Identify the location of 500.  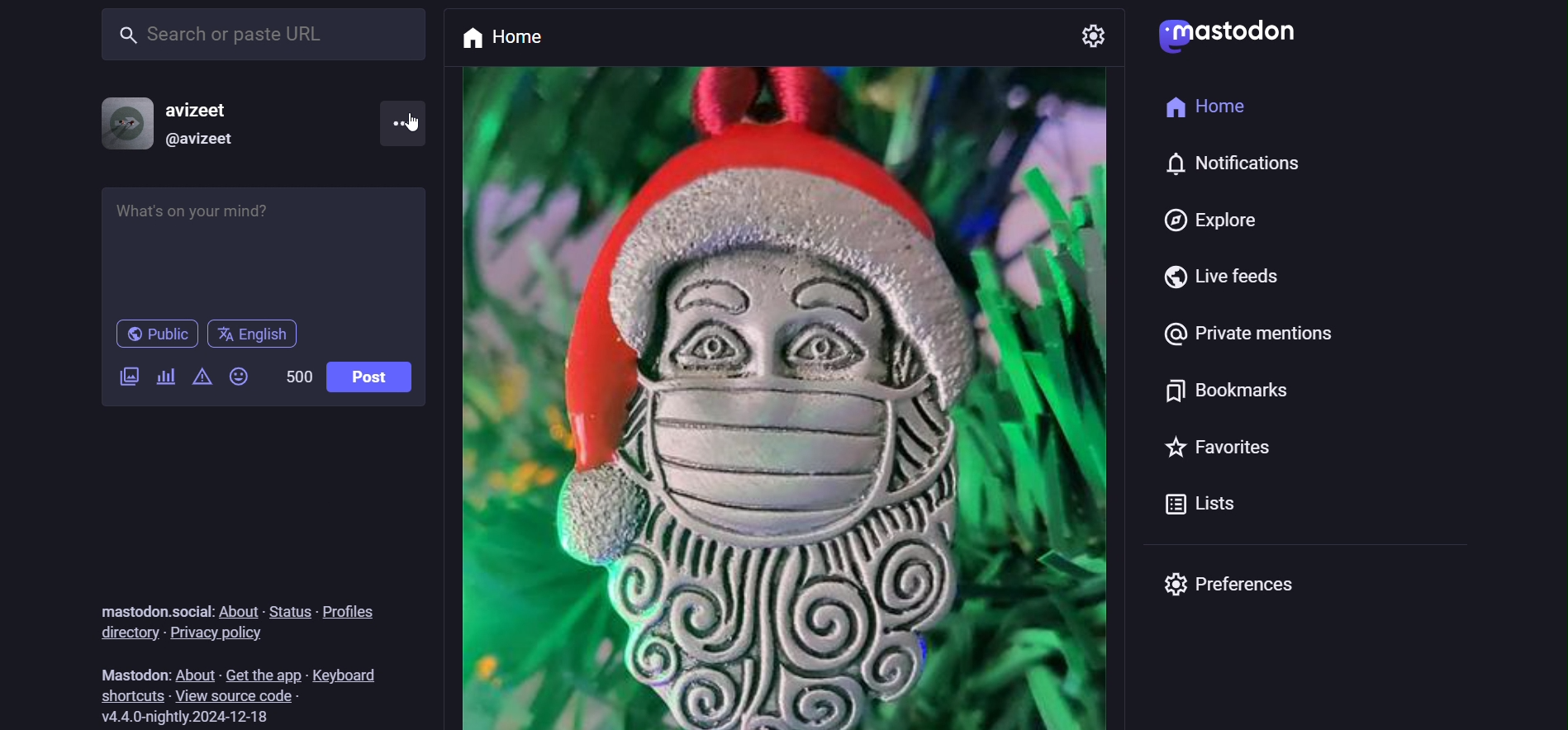
(298, 377).